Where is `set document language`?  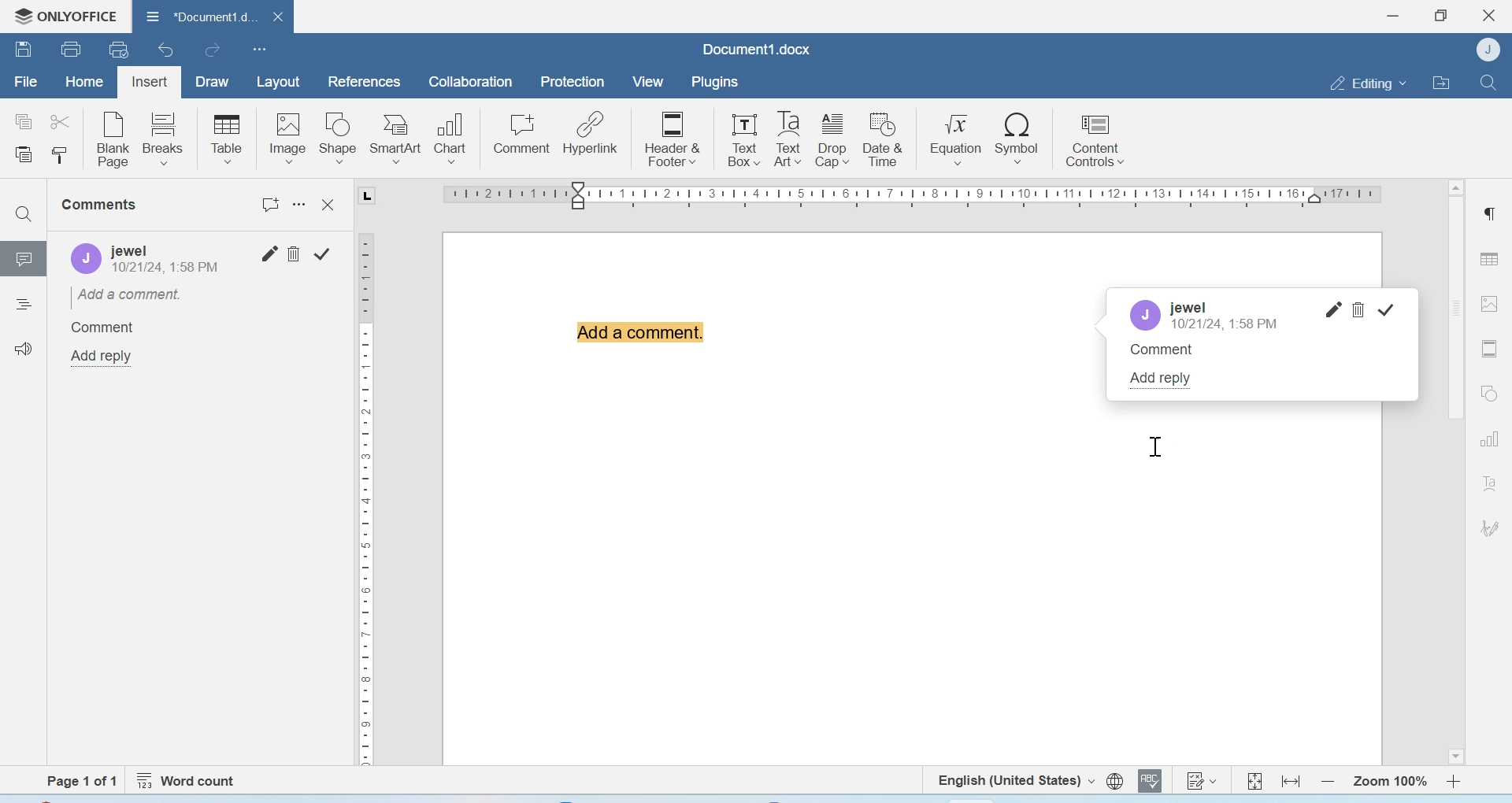
set document language is located at coordinates (1115, 781).